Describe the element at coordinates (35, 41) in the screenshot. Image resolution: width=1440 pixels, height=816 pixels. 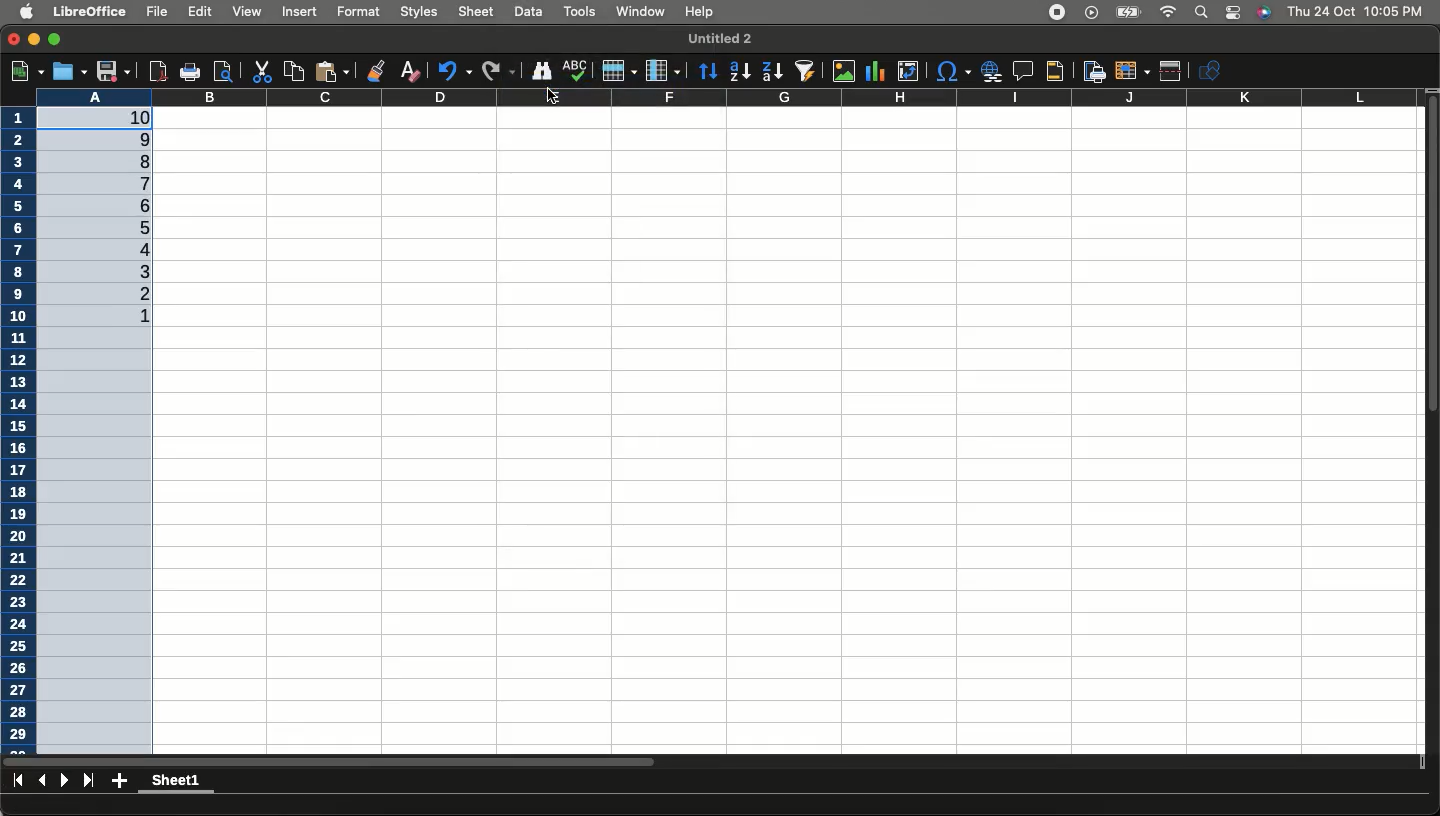
I see `Minimize` at that location.